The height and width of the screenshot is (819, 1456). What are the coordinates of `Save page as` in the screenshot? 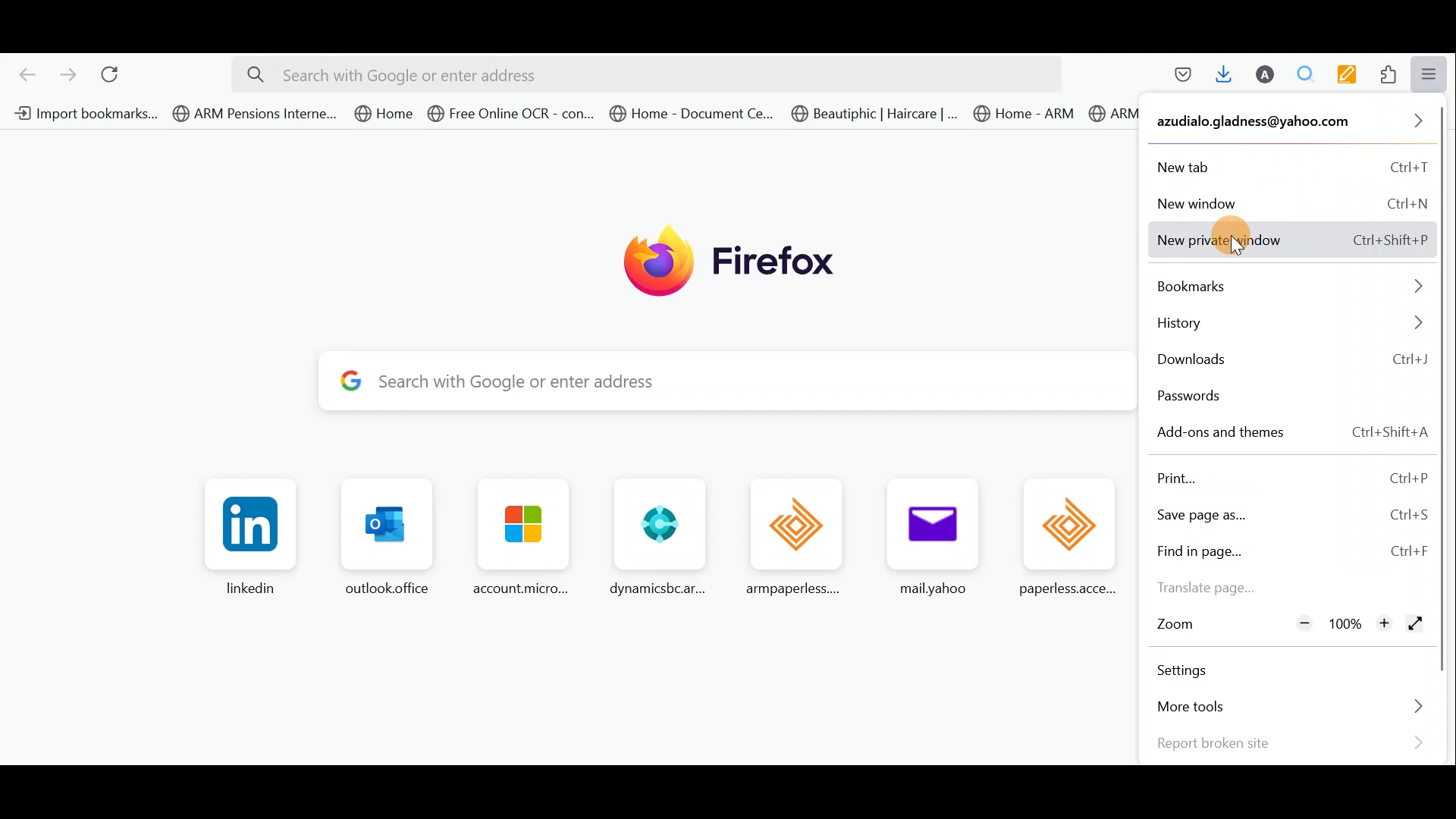 It's located at (1291, 513).